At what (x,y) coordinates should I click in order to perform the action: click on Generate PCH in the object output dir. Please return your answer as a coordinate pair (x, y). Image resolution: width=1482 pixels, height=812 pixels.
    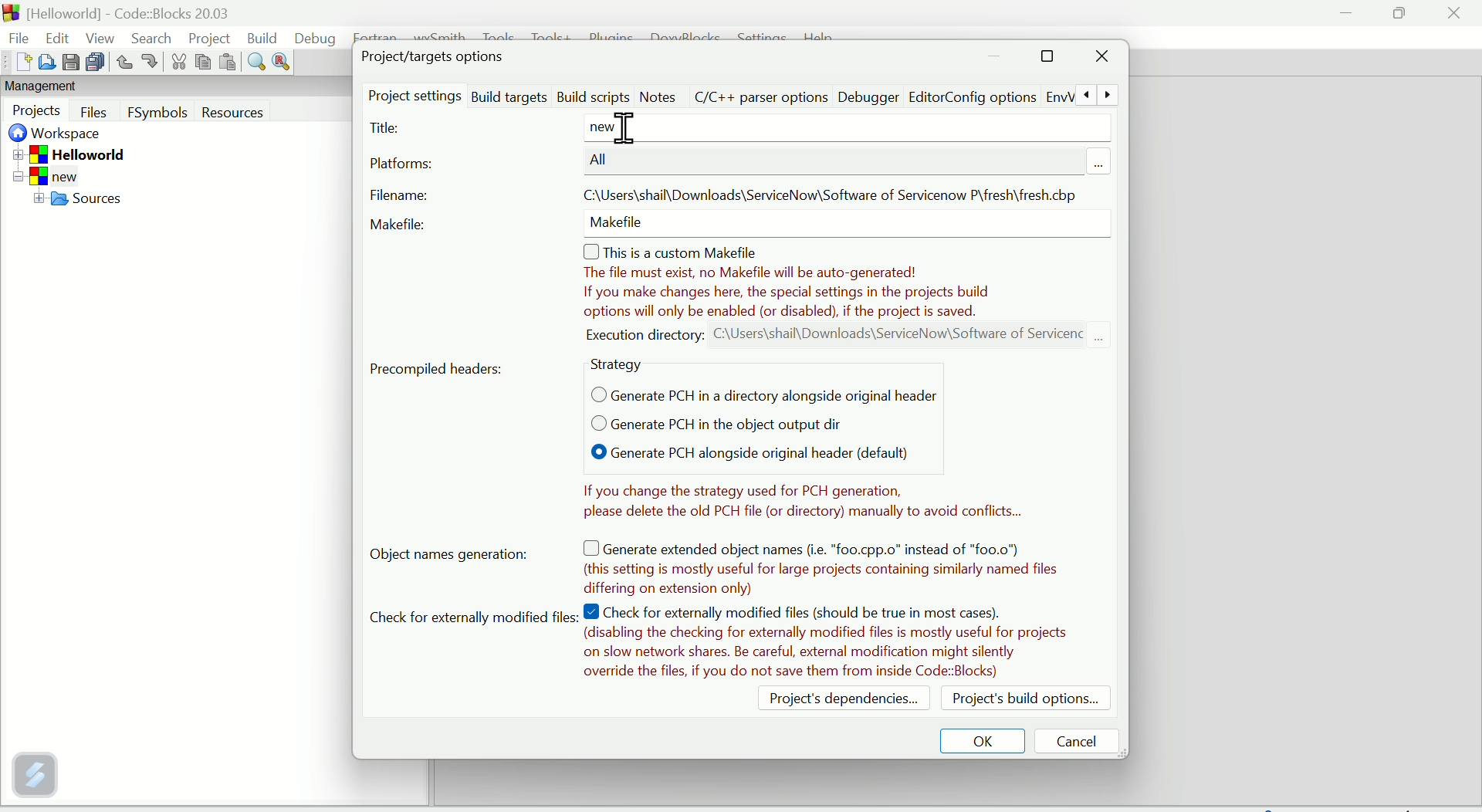
    Looking at the image, I should click on (702, 424).